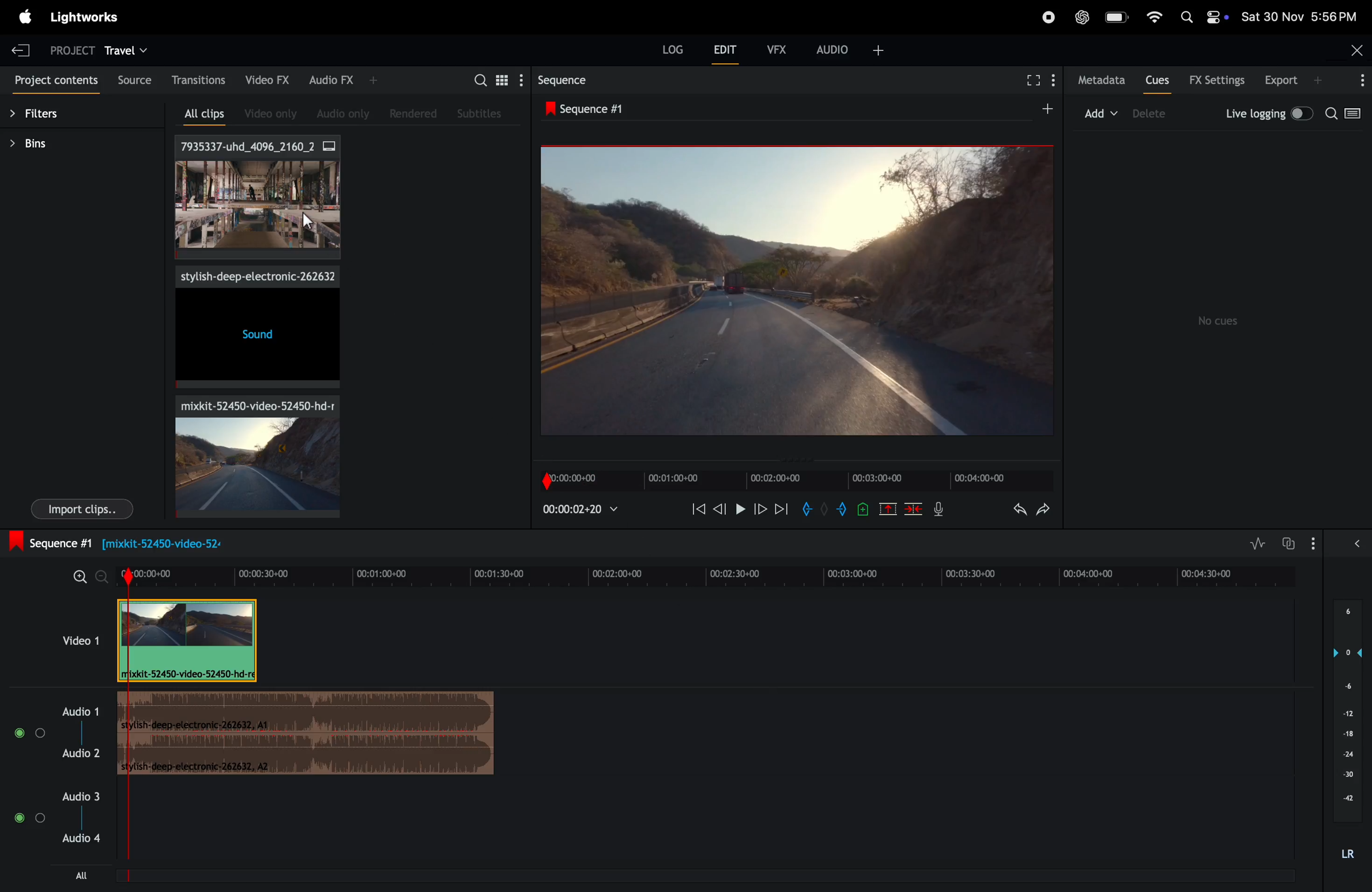 Image resolution: width=1372 pixels, height=892 pixels. I want to click on video clips, so click(258, 199).